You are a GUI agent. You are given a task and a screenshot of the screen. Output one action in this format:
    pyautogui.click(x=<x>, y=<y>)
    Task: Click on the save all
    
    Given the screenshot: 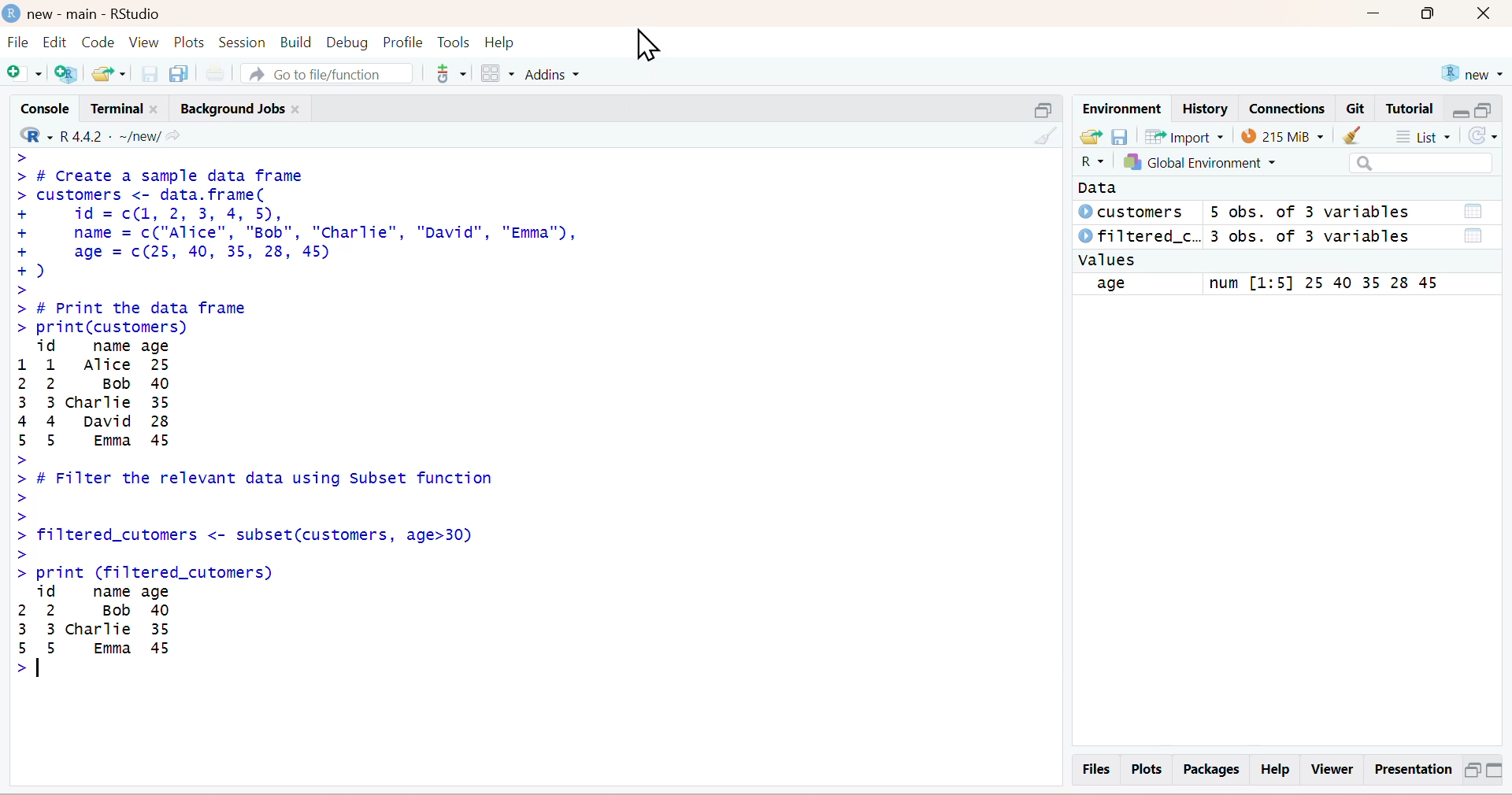 What is the action you would take?
    pyautogui.click(x=179, y=72)
    